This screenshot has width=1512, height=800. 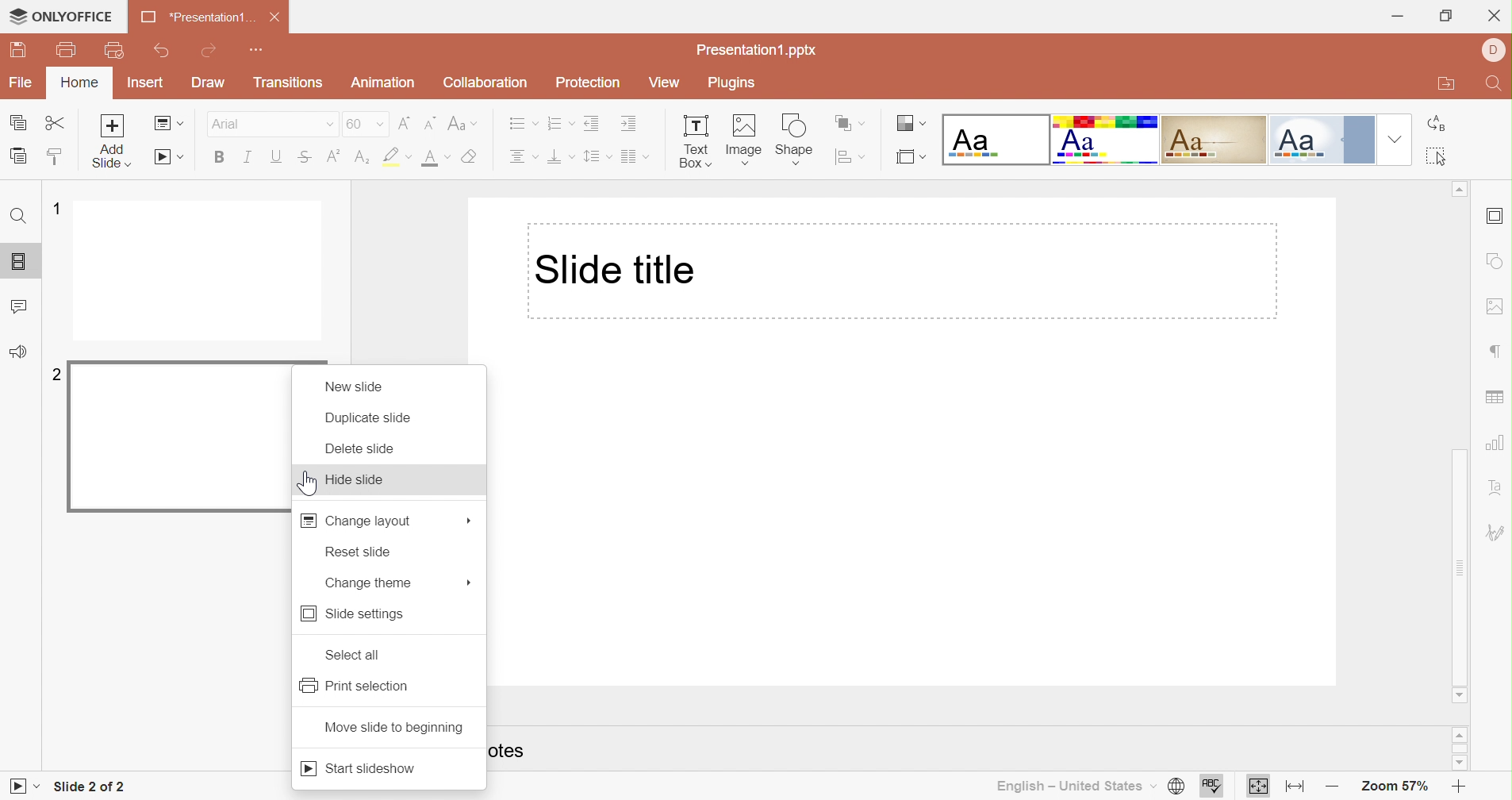 I want to click on Quick Print, so click(x=114, y=50).